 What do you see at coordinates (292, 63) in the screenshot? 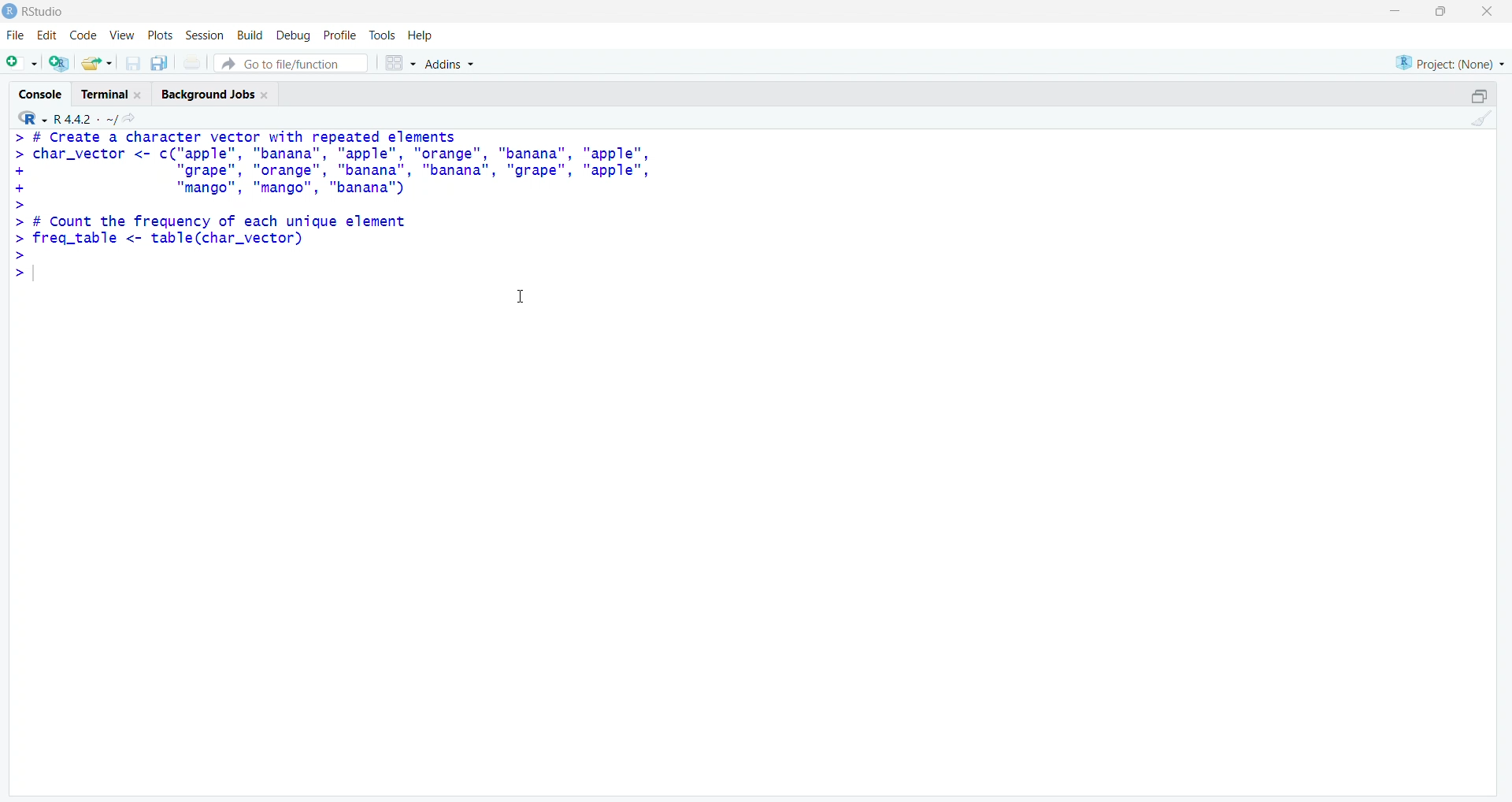
I see `Go to file/function` at bounding box center [292, 63].